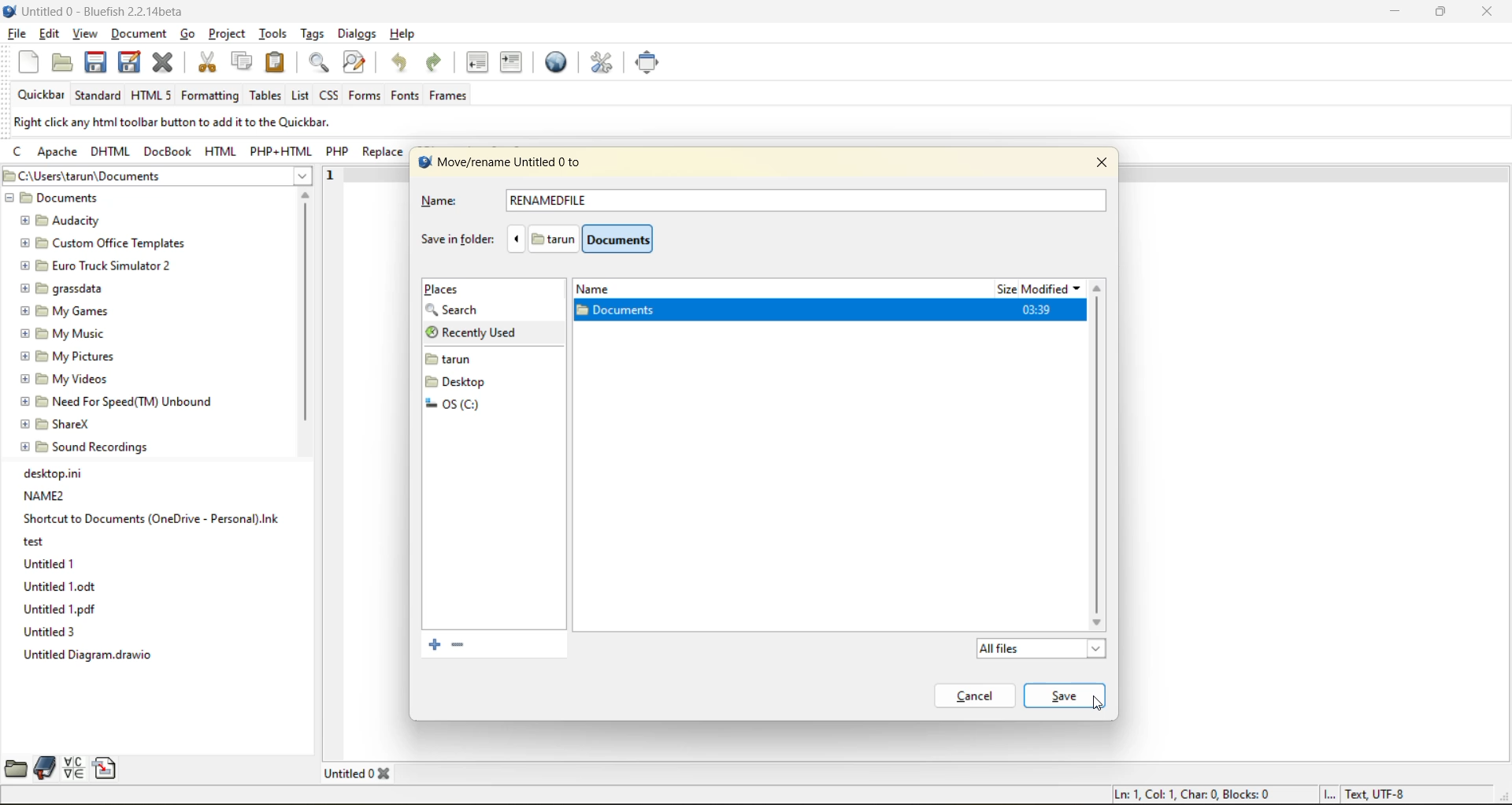 This screenshot has width=1512, height=805. What do you see at coordinates (1054, 695) in the screenshot?
I see `save` at bounding box center [1054, 695].